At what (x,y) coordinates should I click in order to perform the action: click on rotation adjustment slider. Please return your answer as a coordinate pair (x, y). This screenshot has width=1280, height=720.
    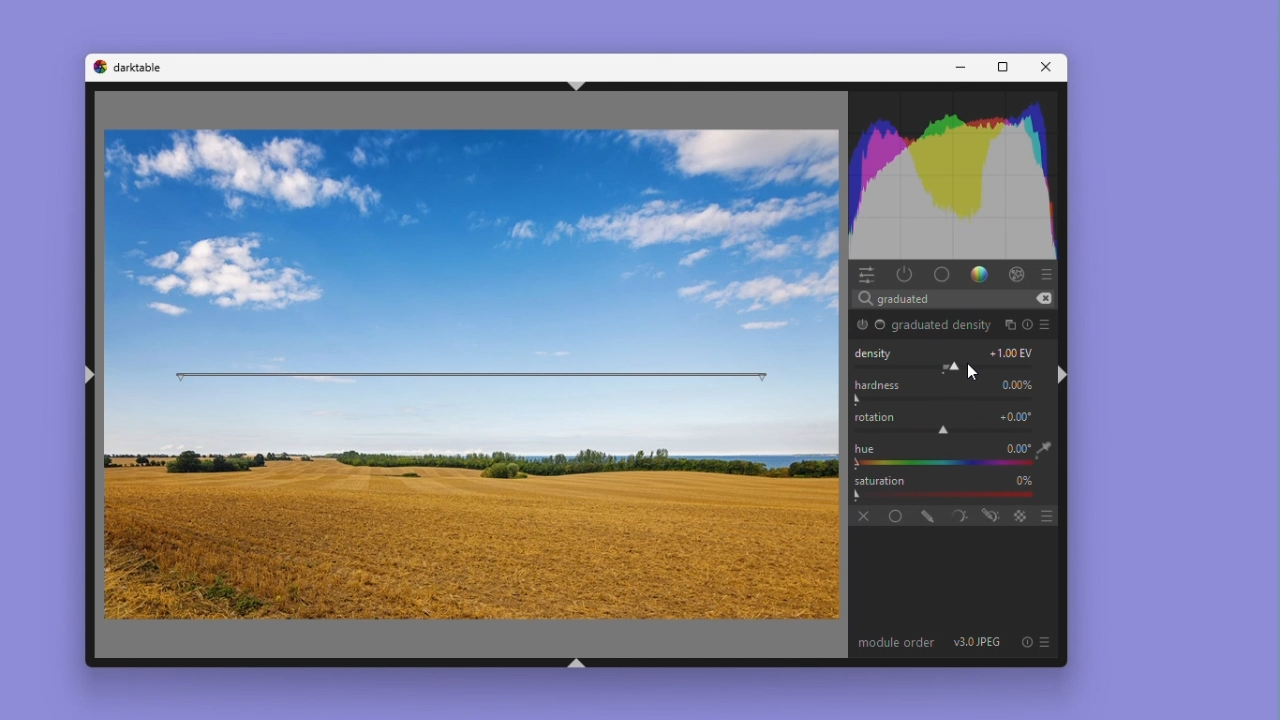
    Looking at the image, I should click on (958, 430).